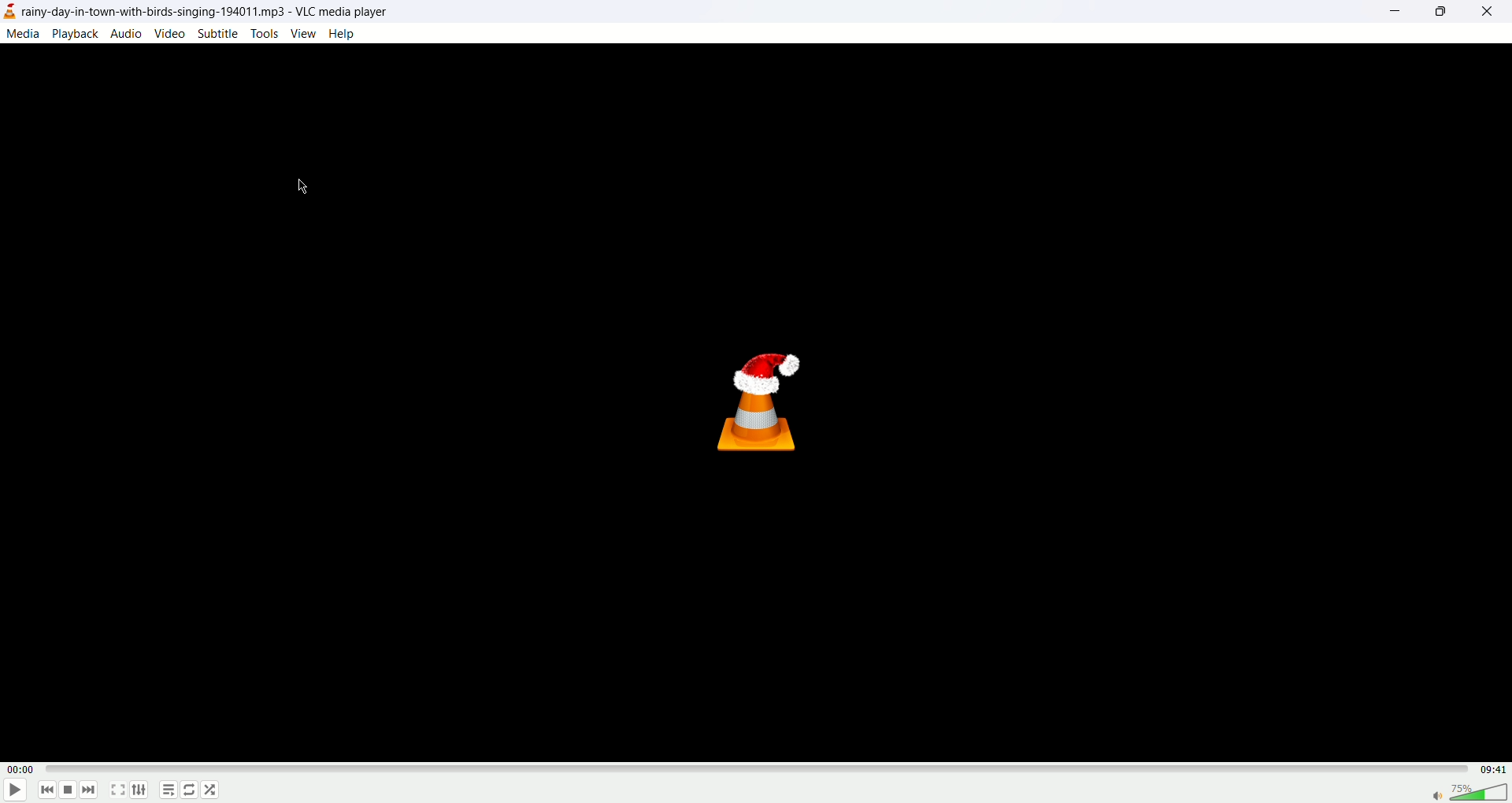 This screenshot has width=1512, height=803. I want to click on loop, so click(191, 791).